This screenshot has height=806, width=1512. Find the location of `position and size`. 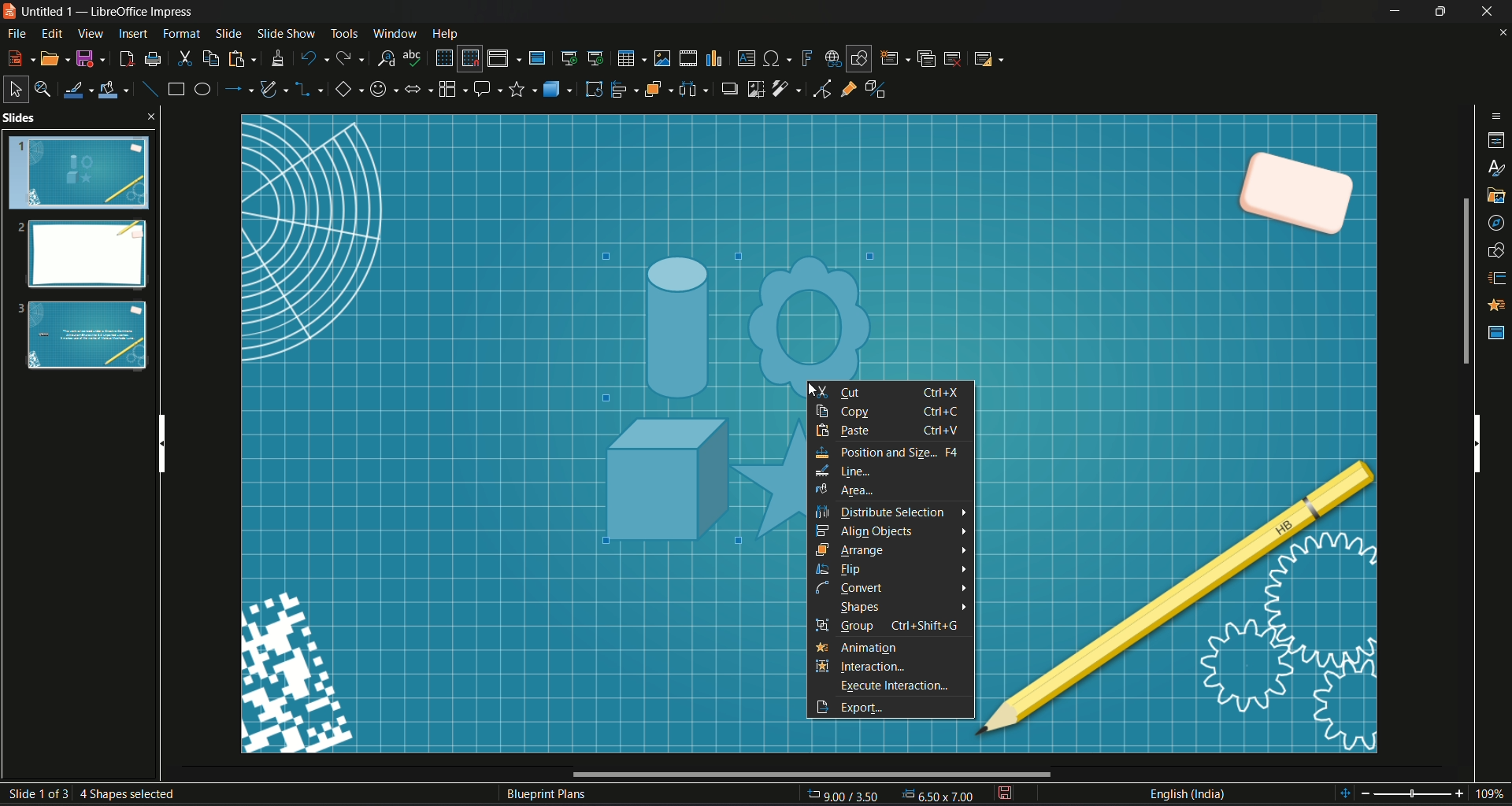

position and size is located at coordinates (890, 451).